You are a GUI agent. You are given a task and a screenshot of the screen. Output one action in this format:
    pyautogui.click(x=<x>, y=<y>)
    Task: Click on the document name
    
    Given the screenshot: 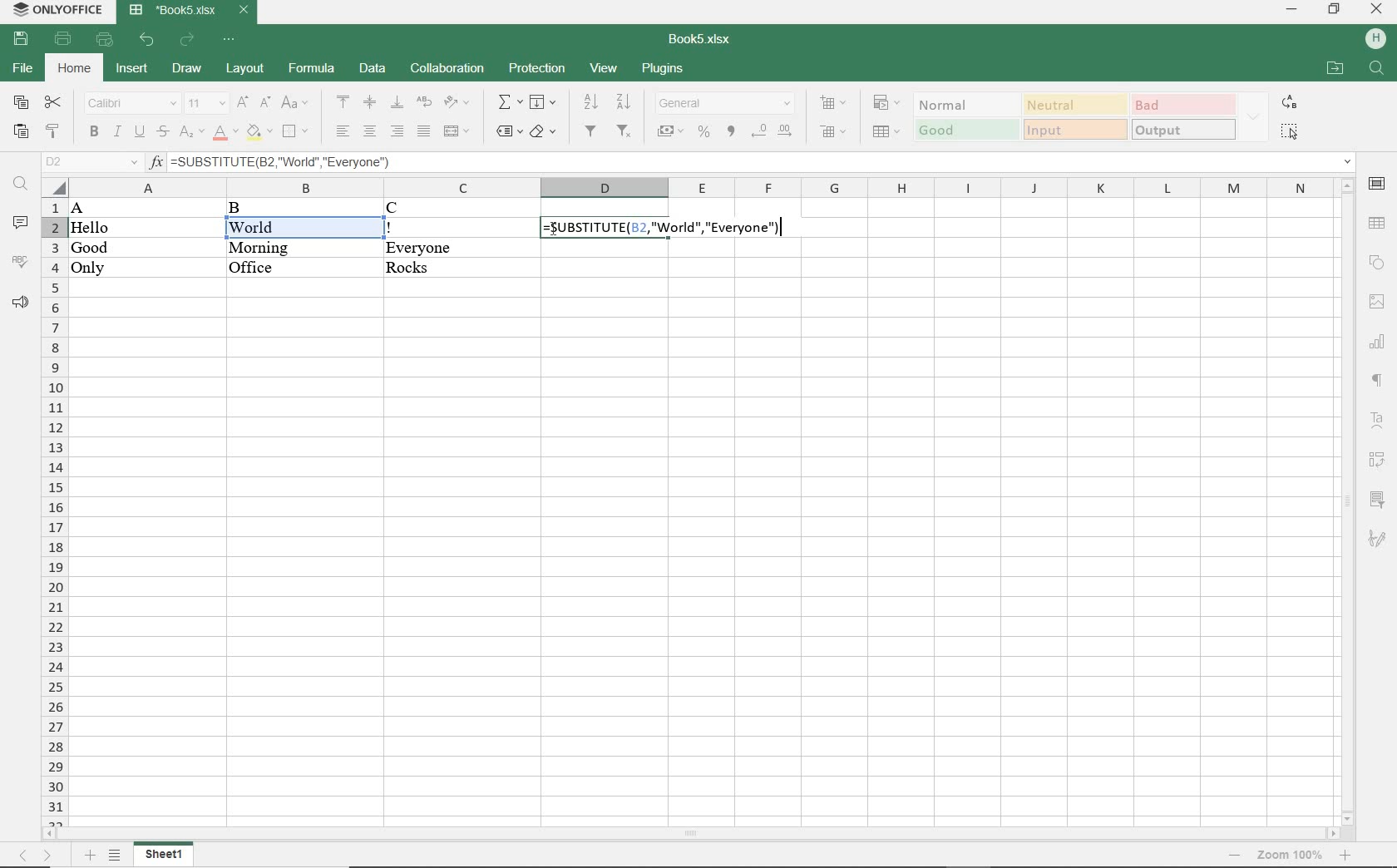 What is the action you would take?
    pyautogui.click(x=188, y=12)
    